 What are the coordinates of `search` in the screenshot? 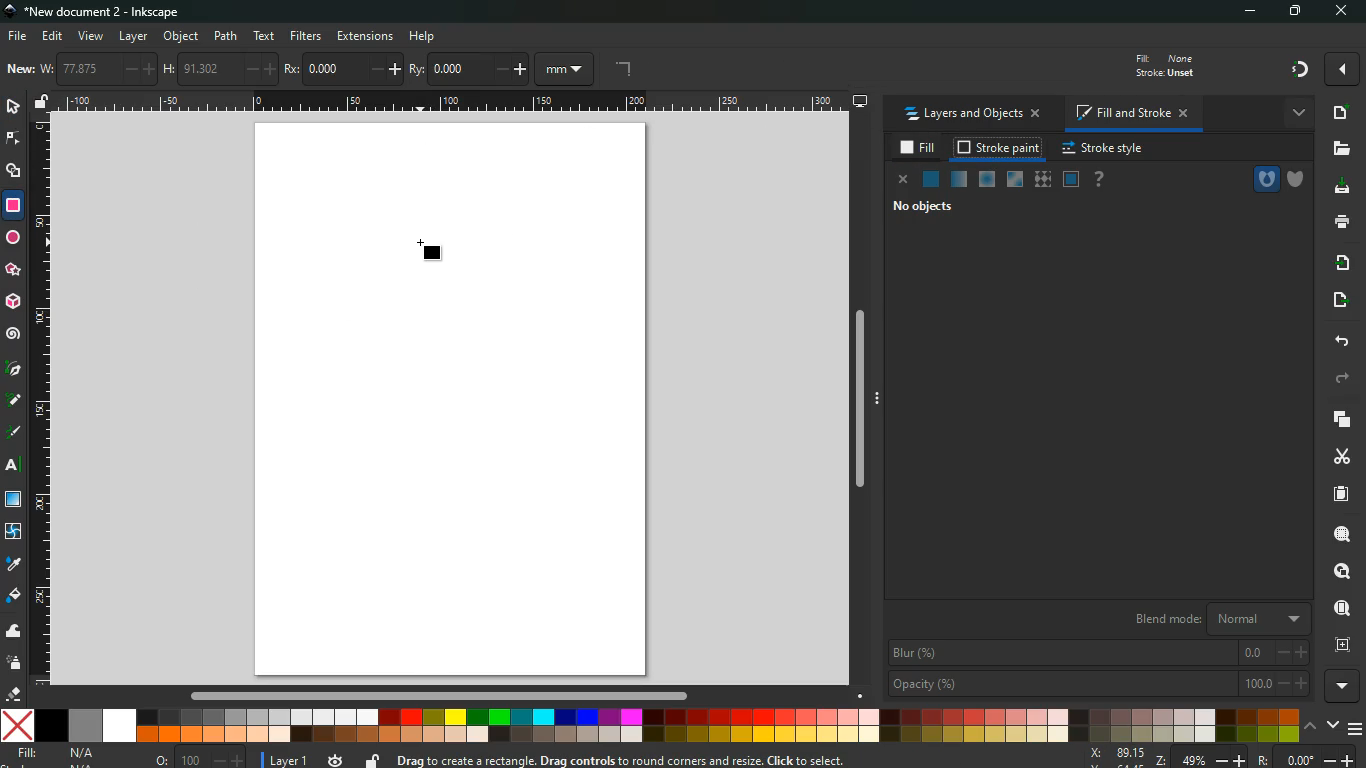 It's located at (1341, 530).